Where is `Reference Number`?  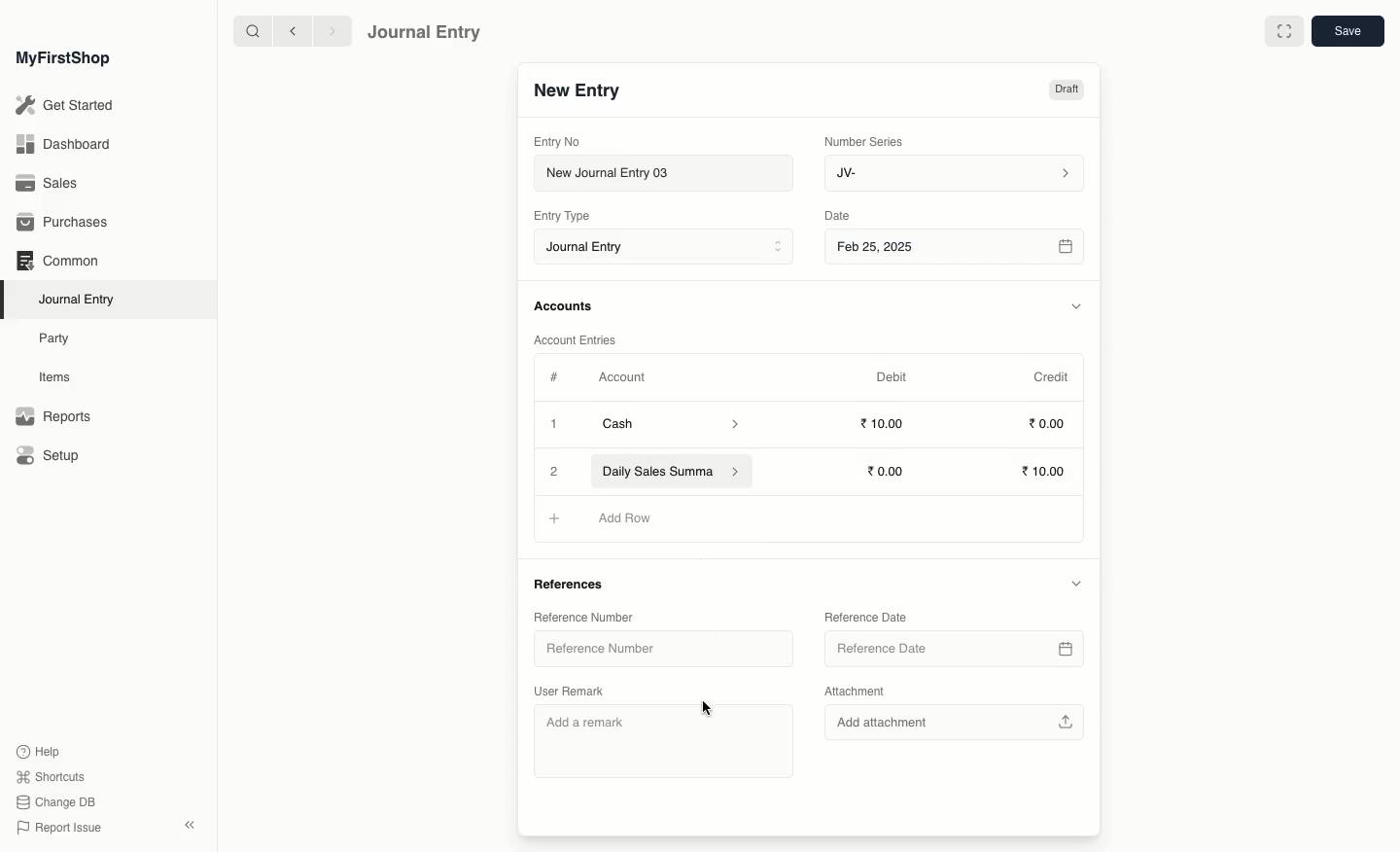 Reference Number is located at coordinates (608, 652).